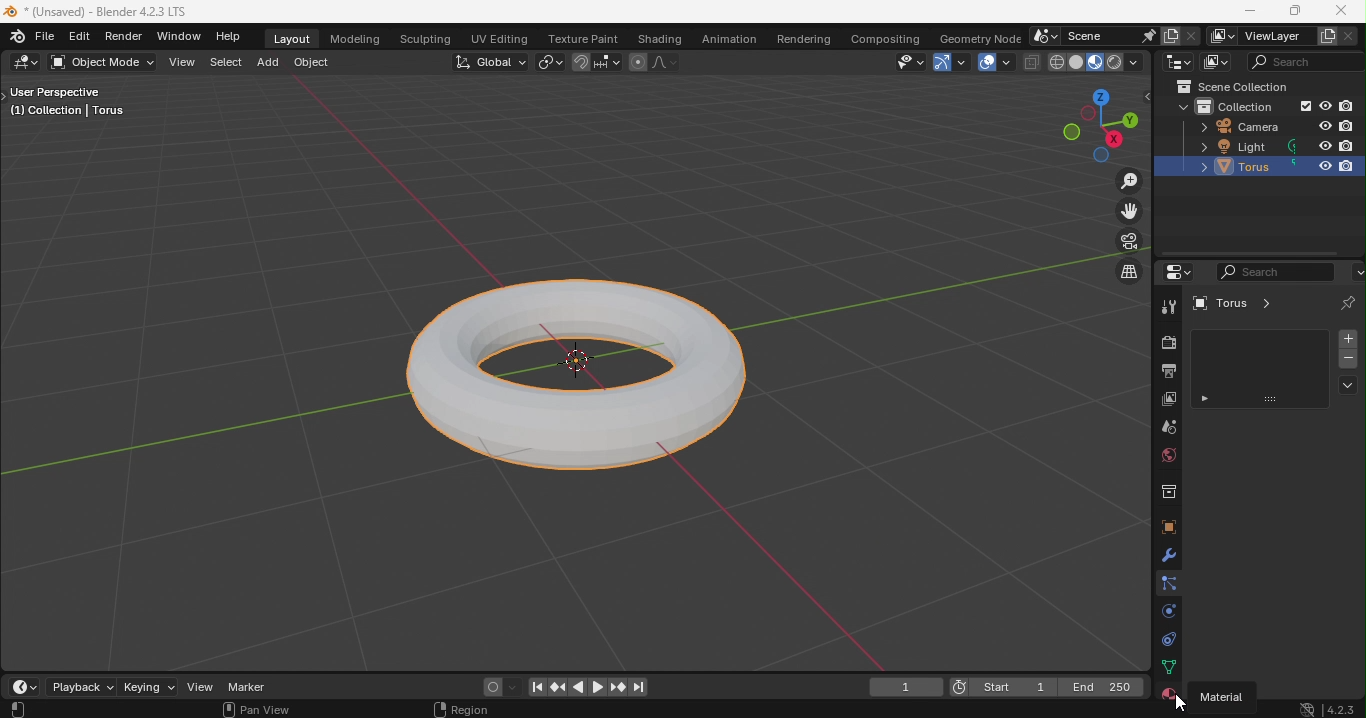 The width and height of the screenshot is (1366, 718). Describe the element at coordinates (1167, 397) in the screenshot. I see `View layer` at that location.